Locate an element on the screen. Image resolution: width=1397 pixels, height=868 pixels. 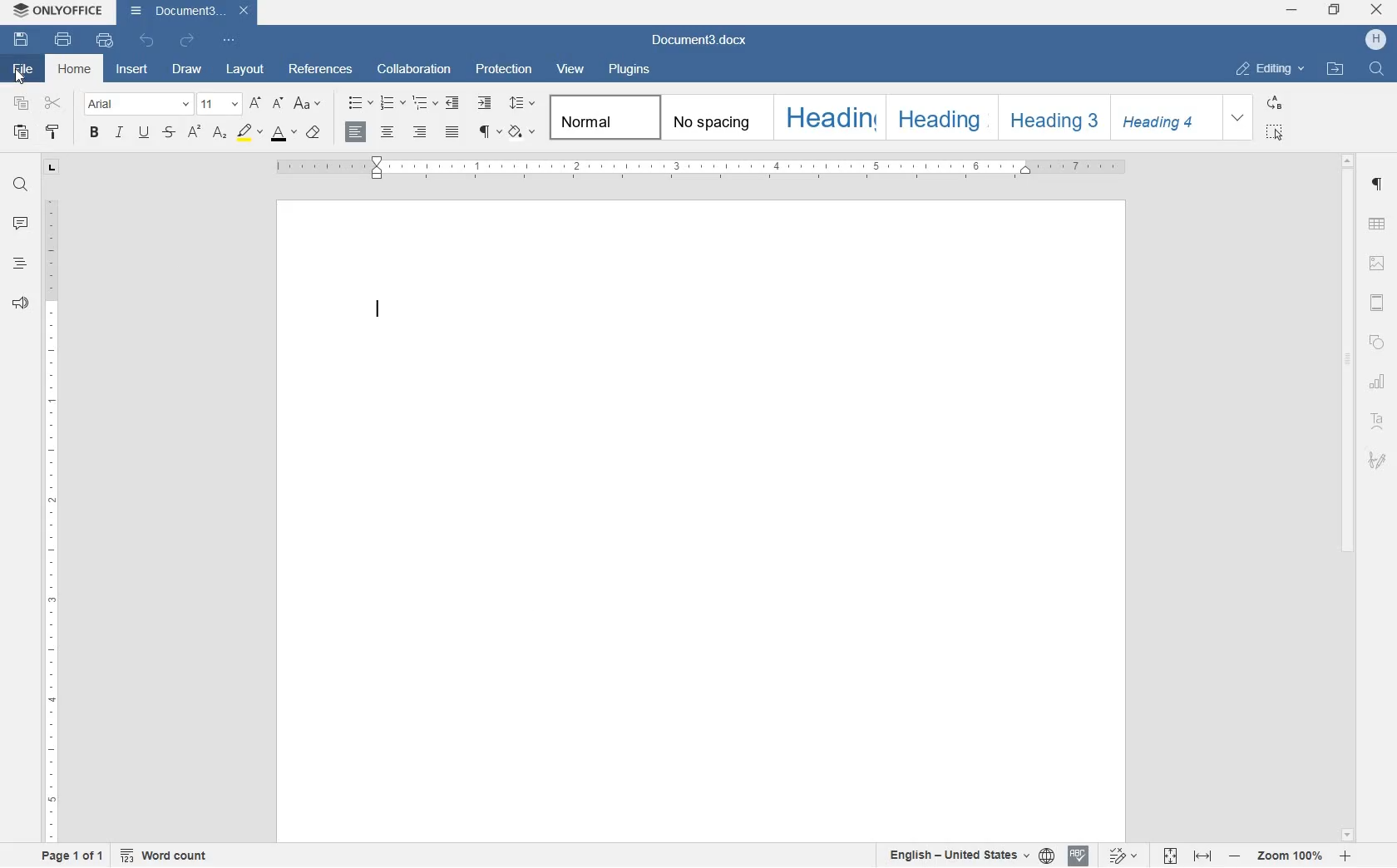
table settings is located at coordinates (1376, 224).